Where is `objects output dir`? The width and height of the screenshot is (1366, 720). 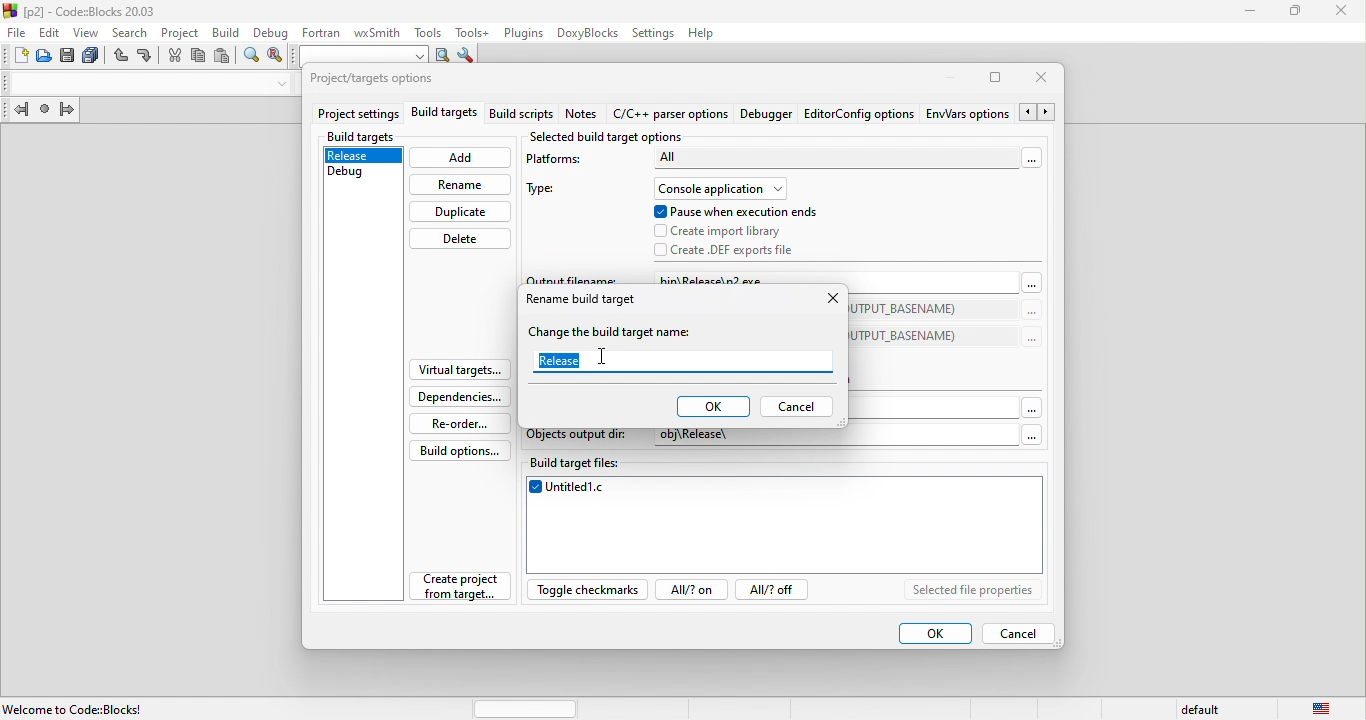
objects output dir is located at coordinates (578, 438).